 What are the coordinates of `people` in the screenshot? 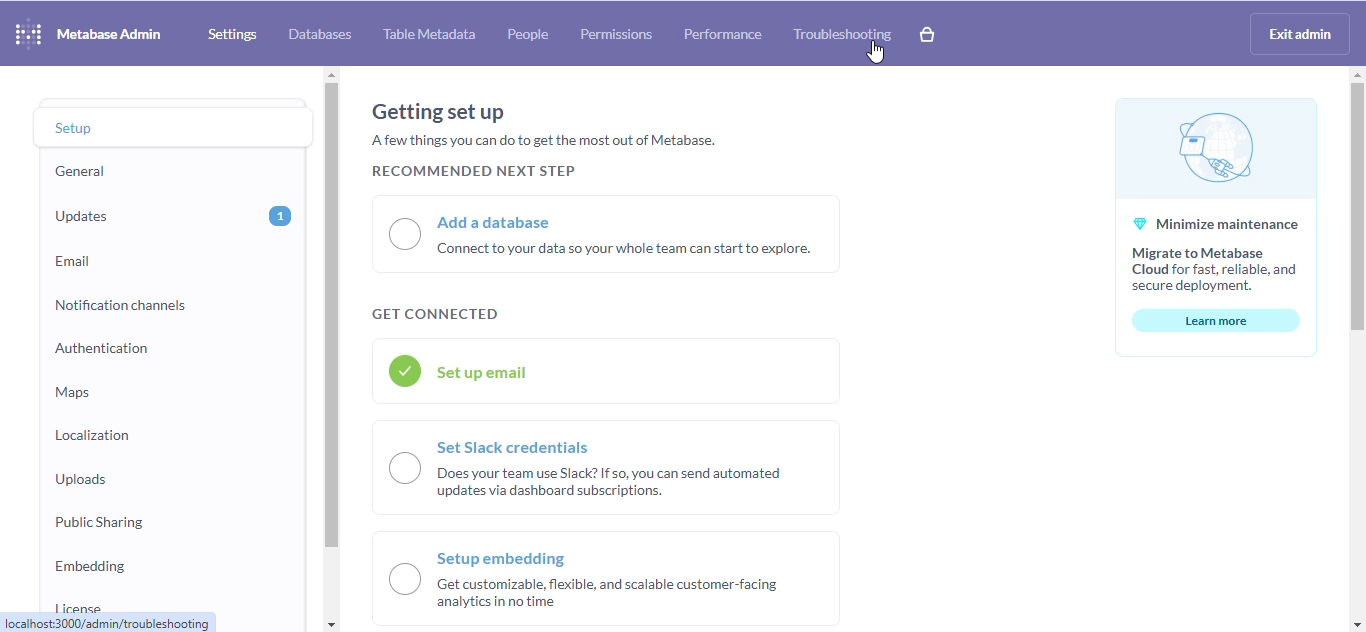 It's located at (528, 34).